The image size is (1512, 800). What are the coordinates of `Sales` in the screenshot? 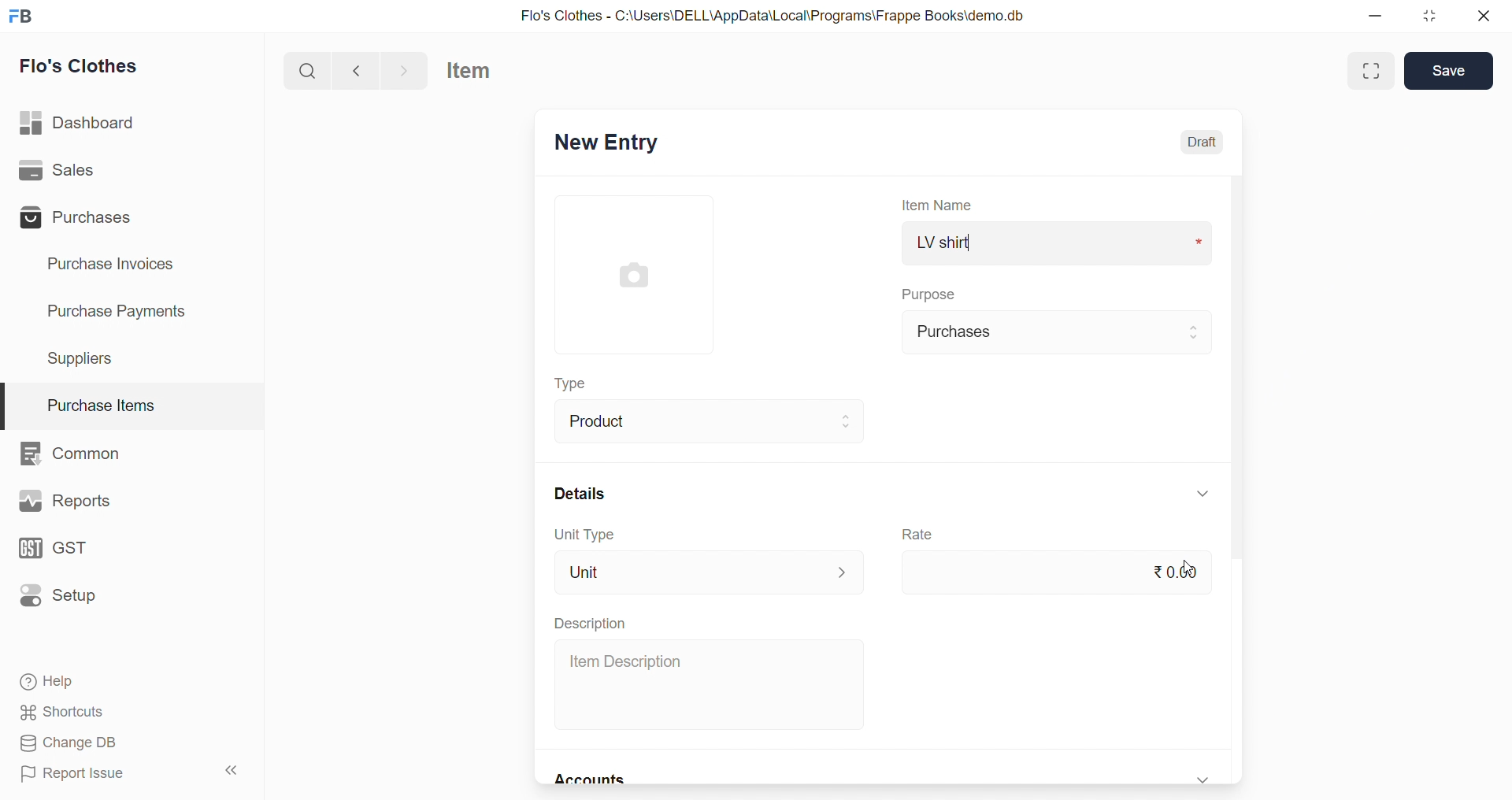 It's located at (81, 171).